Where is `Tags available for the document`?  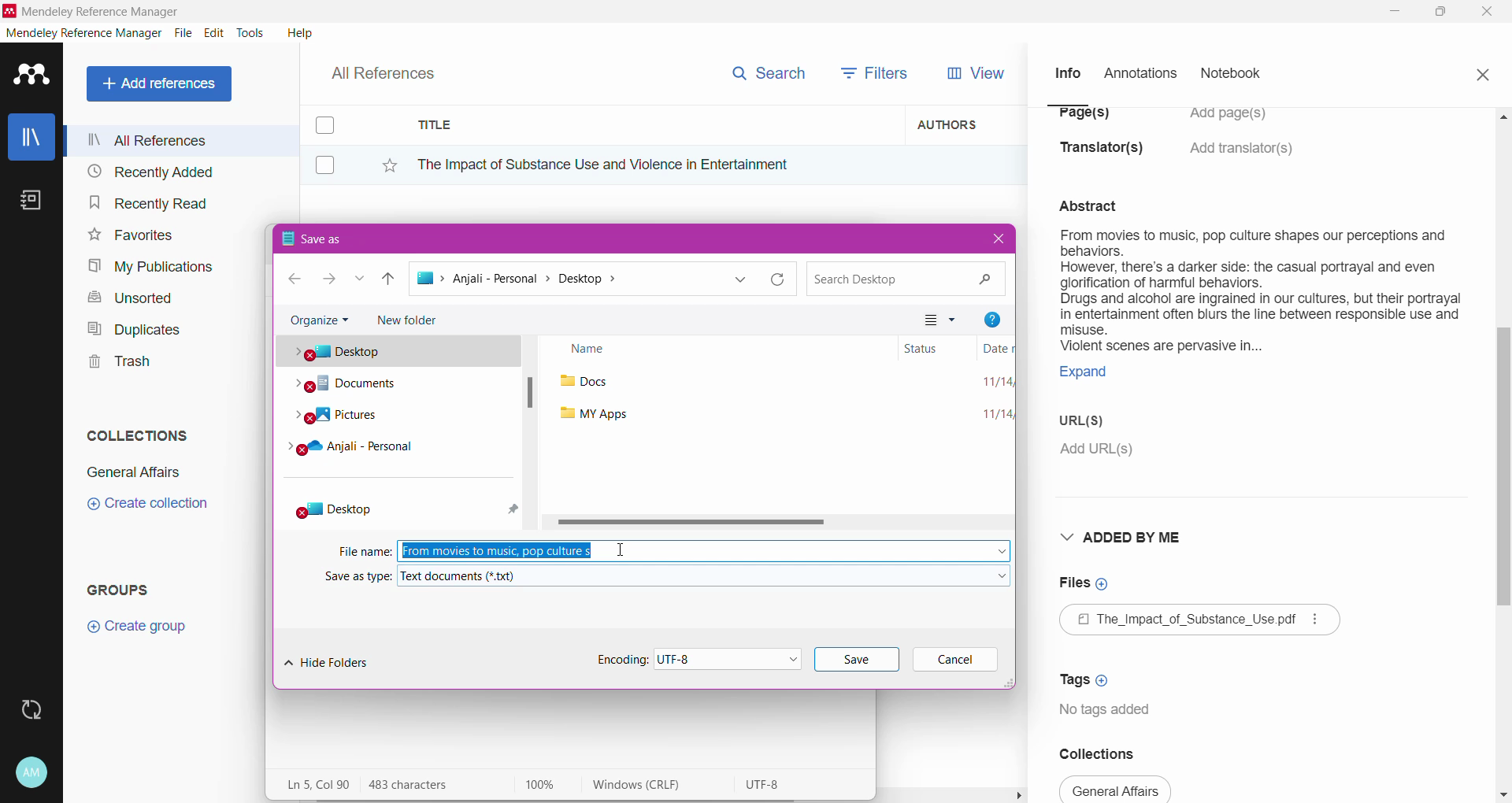 Tags available for the document is located at coordinates (1109, 712).